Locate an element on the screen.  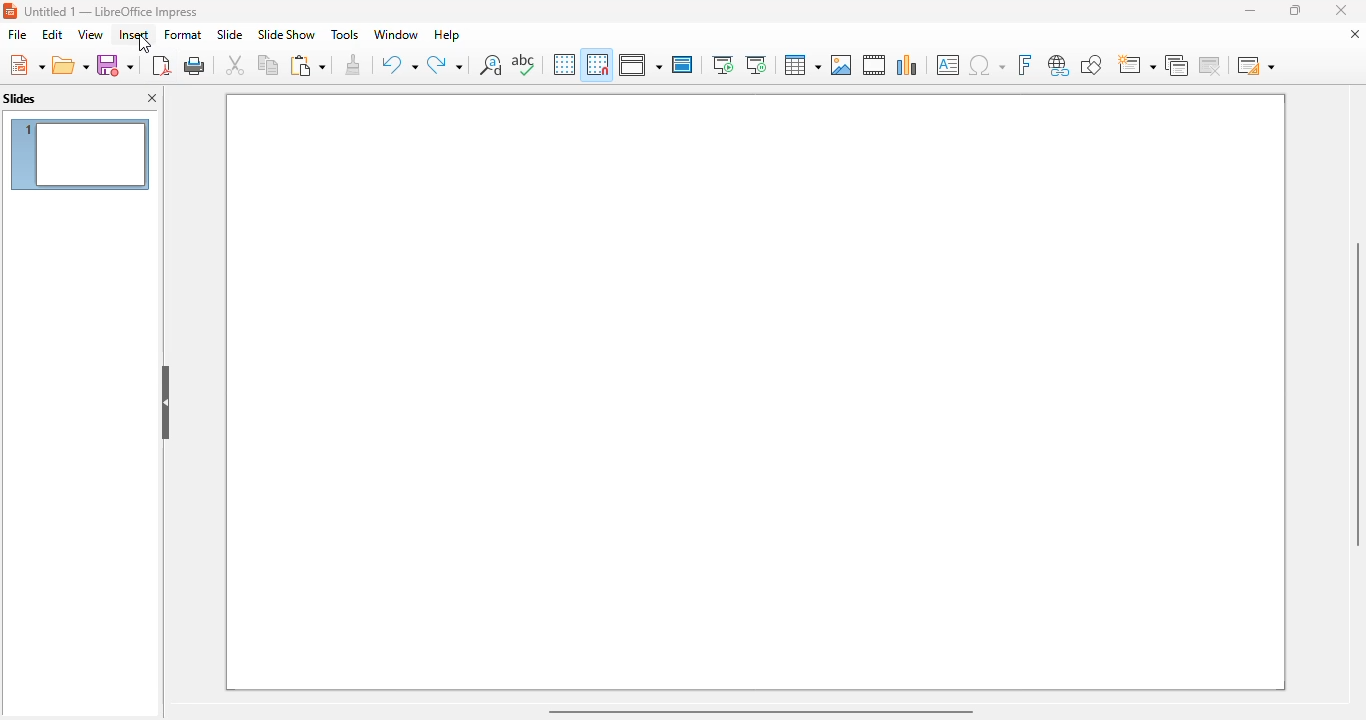
display views is located at coordinates (640, 65).